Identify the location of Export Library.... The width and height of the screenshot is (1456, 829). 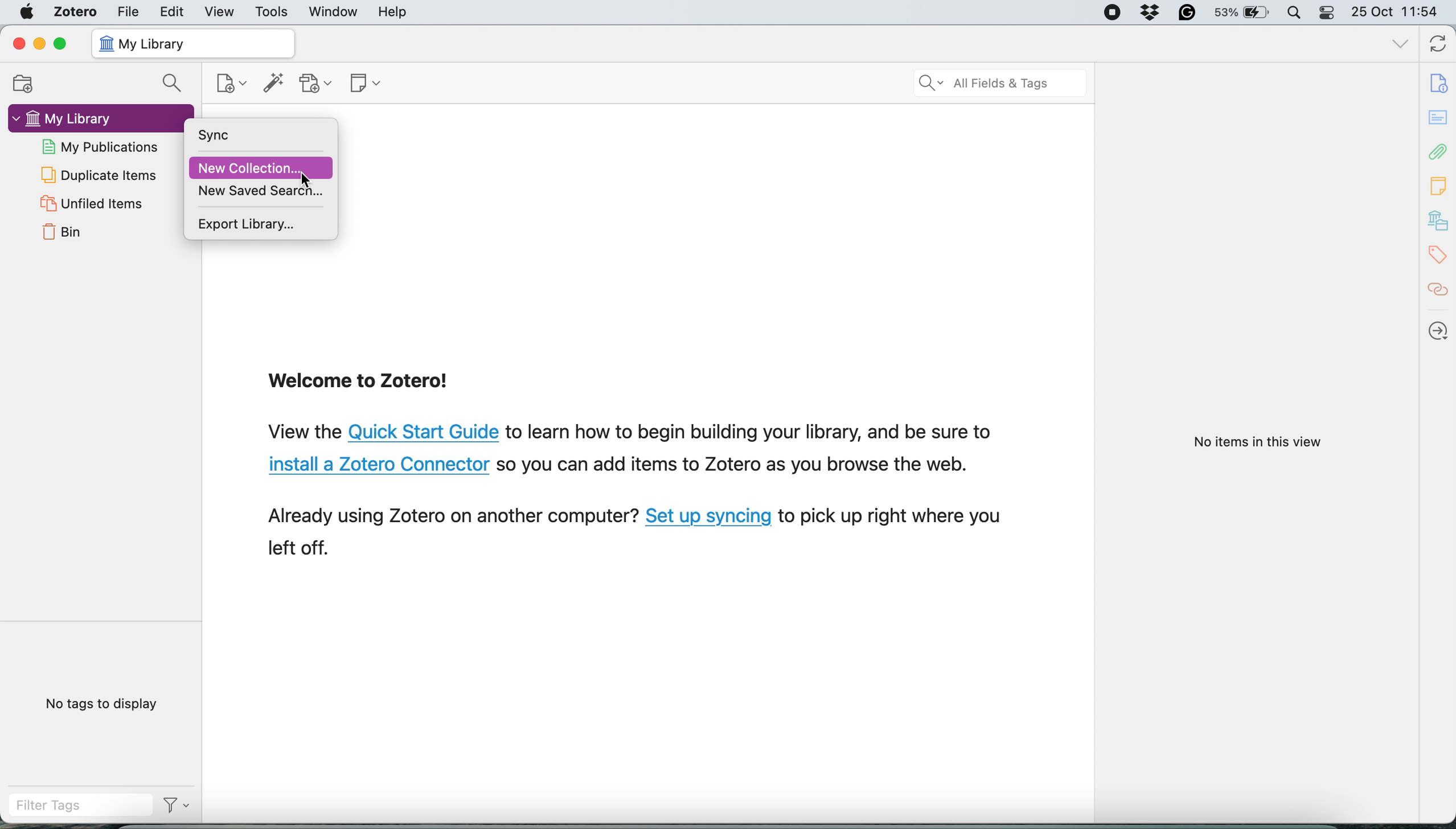
(261, 224).